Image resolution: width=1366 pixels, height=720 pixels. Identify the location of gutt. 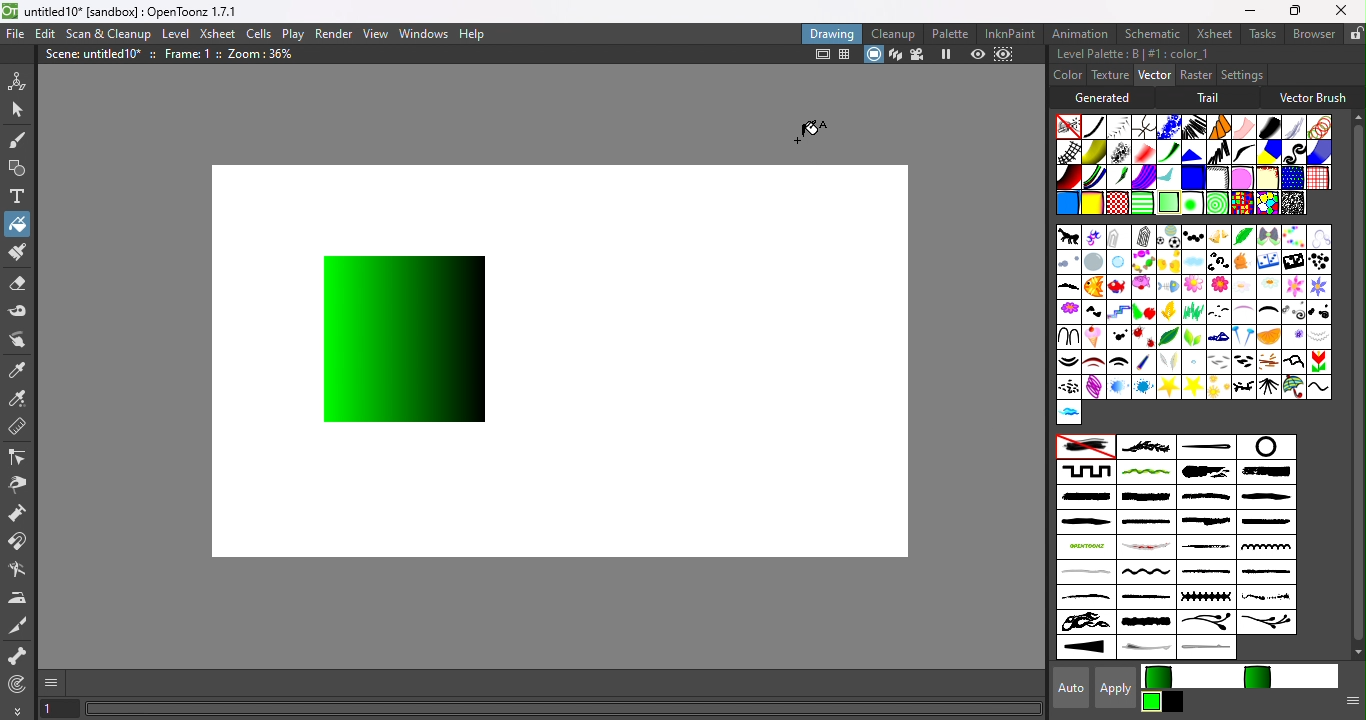
(1218, 311).